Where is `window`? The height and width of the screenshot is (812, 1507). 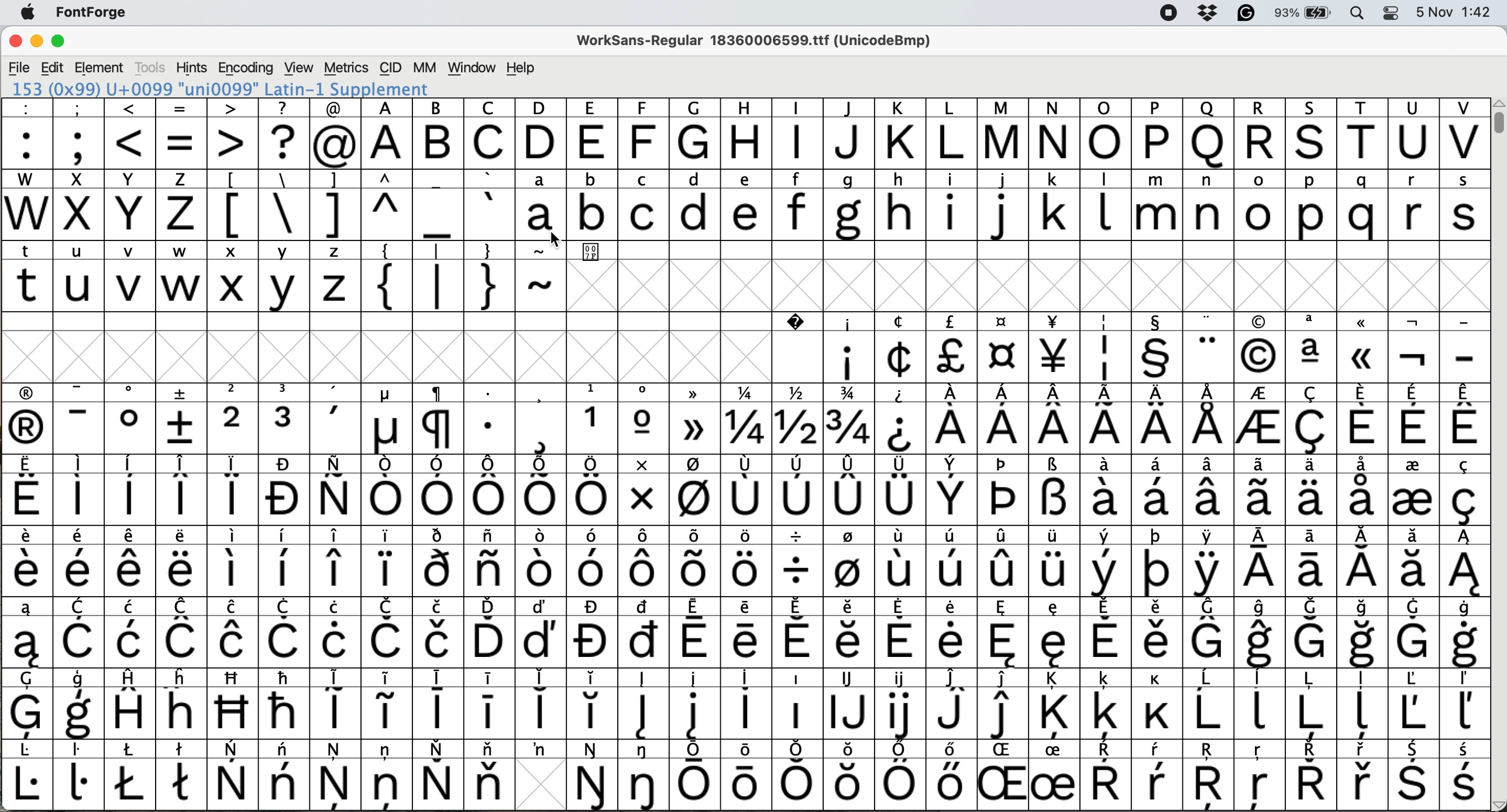
window is located at coordinates (470, 68).